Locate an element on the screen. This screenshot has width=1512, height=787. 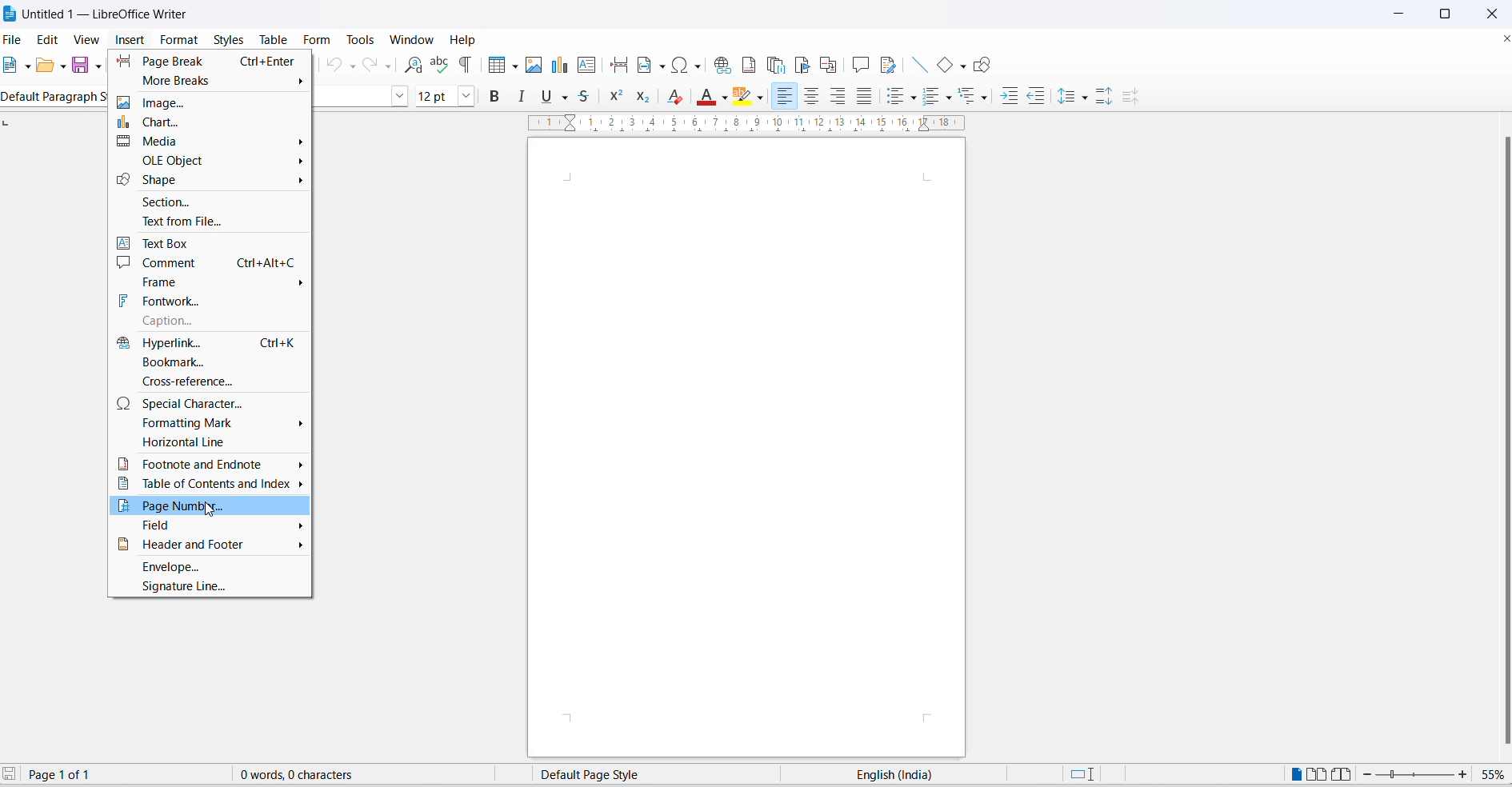
undo is located at coordinates (335, 67).